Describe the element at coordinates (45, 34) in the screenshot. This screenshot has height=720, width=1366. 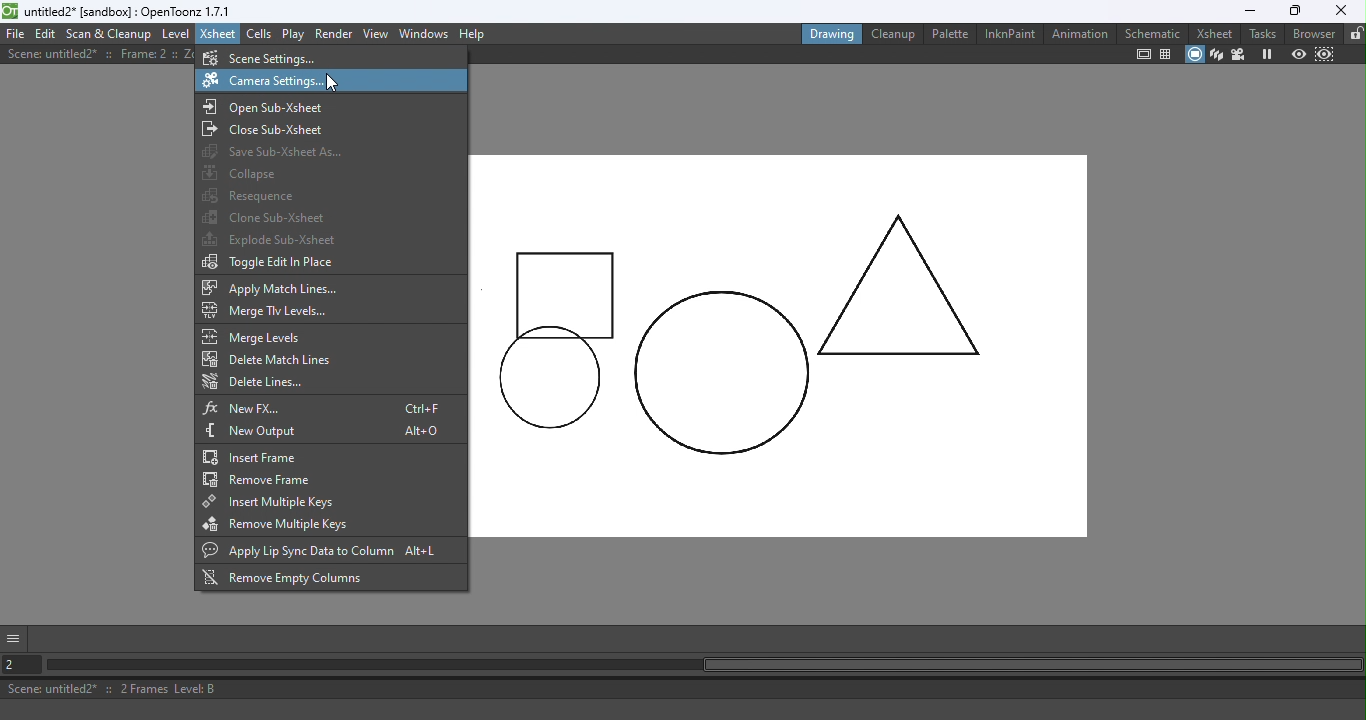
I see `Edit` at that location.